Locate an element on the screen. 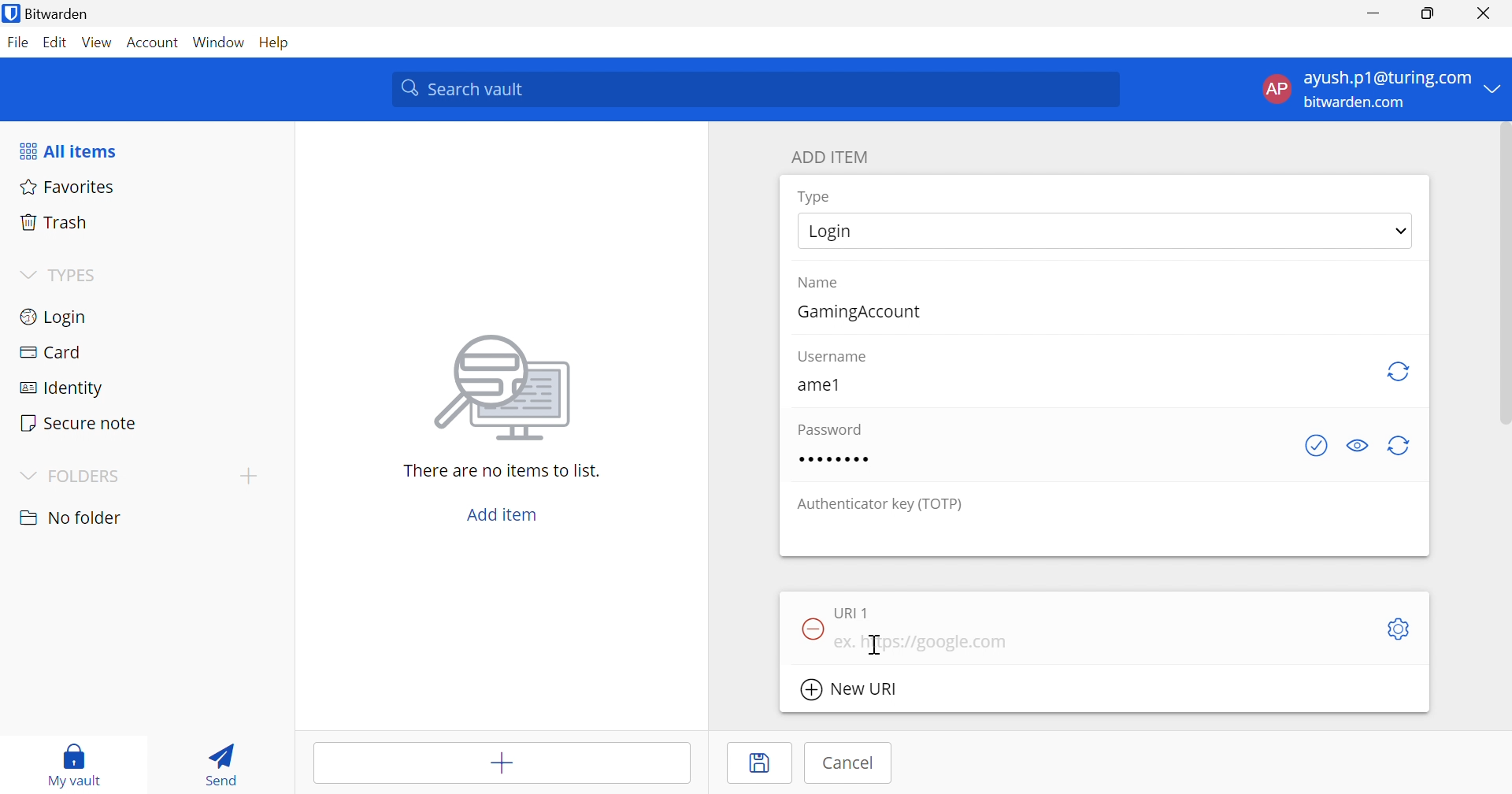 This screenshot has width=1512, height=794. Cursor is located at coordinates (876, 645).